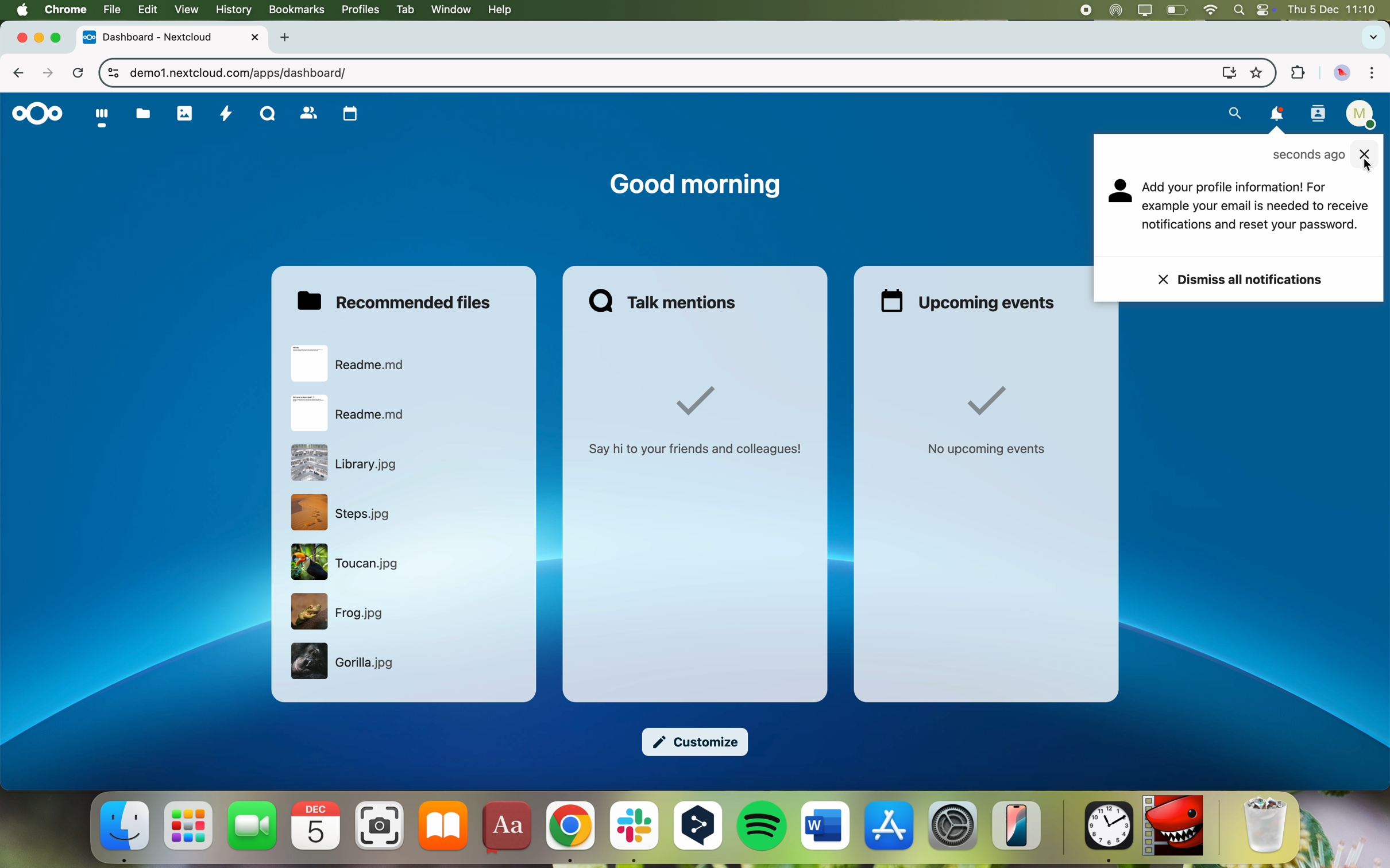 The width and height of the screenshot is (1390, 868). I want to click on customize button, so click(697, 743).